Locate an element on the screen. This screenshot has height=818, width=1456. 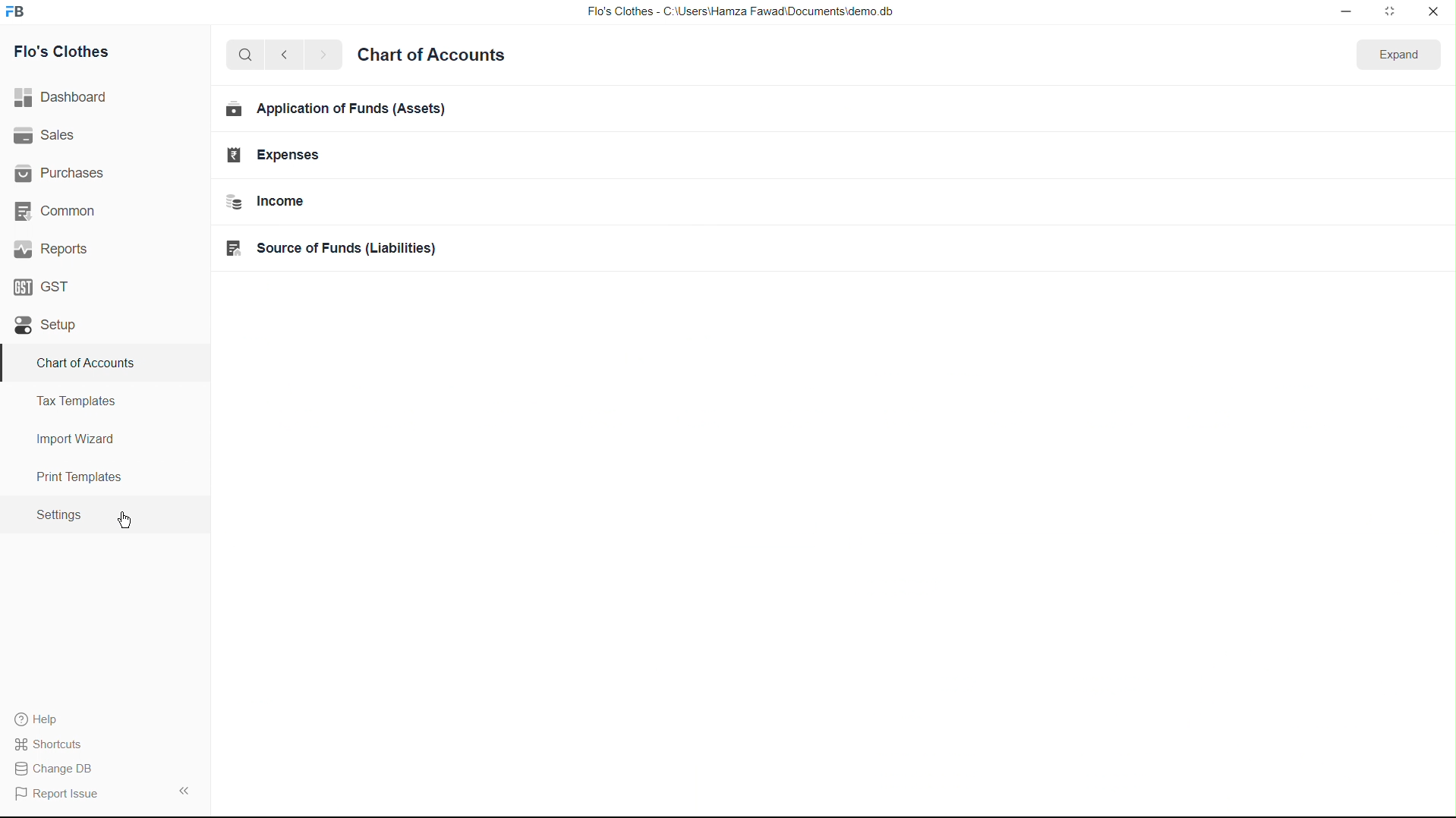
GST is located at coordinates (47, 283).